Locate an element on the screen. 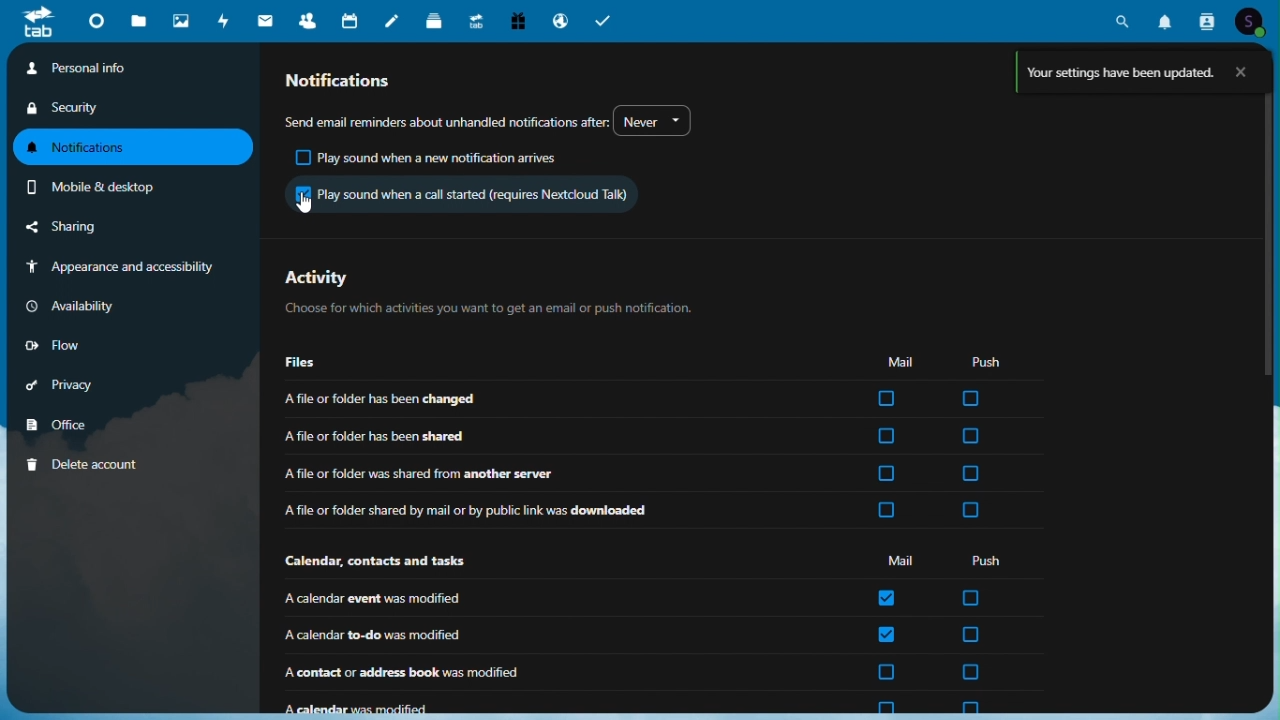 Image resolution: width=1280 pixels, height=720 pixels. Appearance and accessibility is located at coordinates (124, 268).